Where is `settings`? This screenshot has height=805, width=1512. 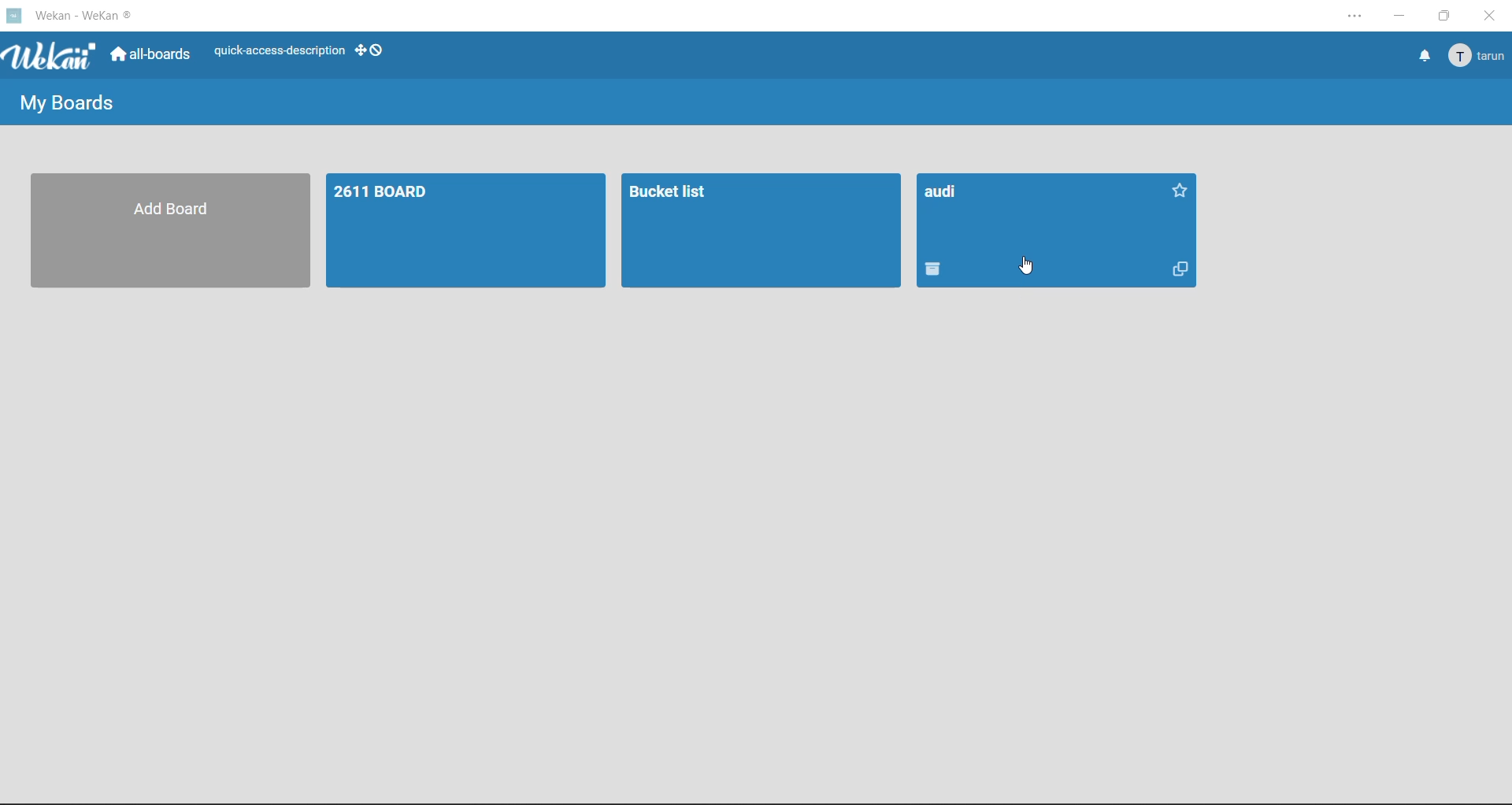 settings is located at coordinates (1351, 13).